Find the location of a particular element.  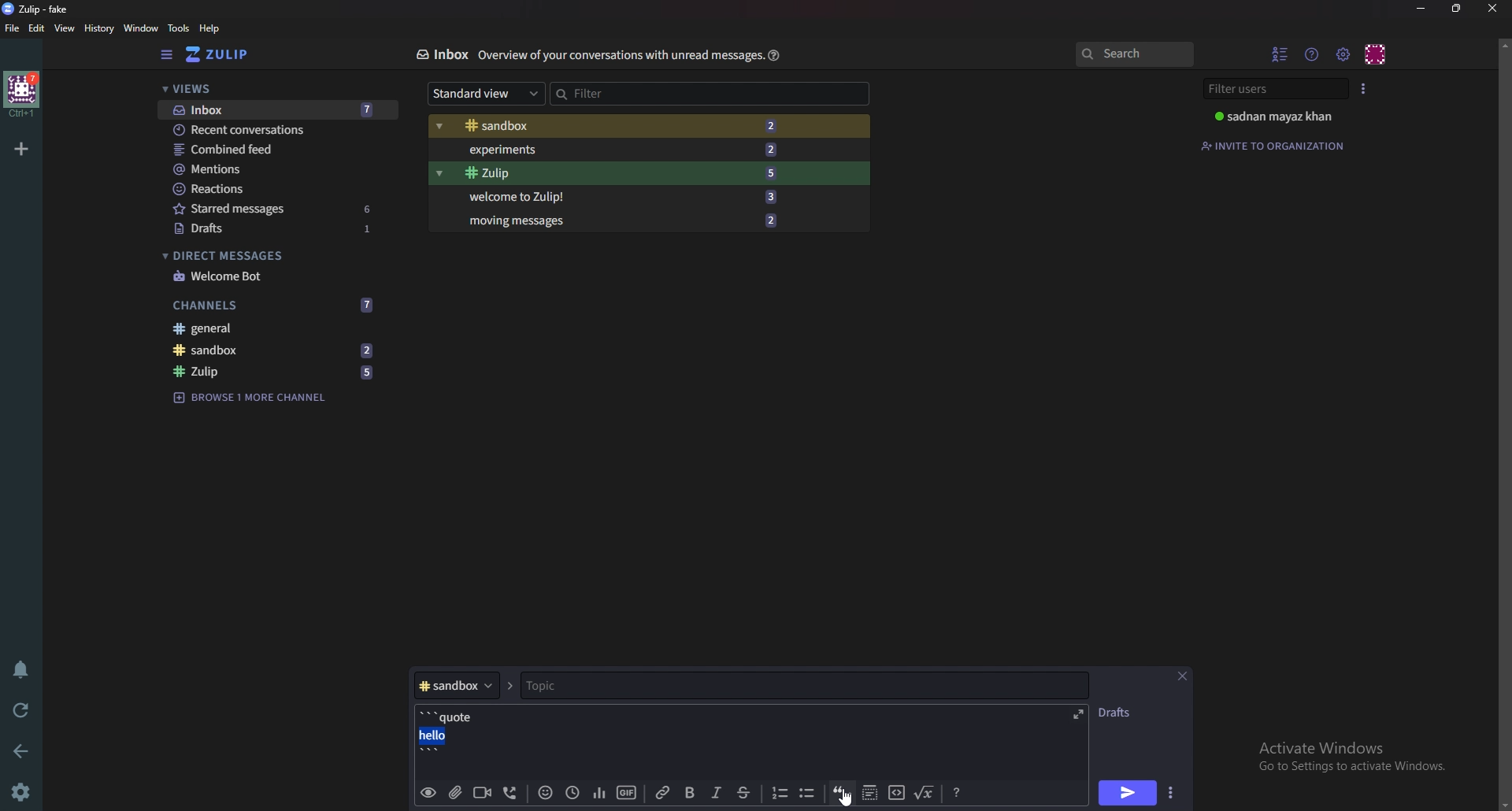

Help is located at coordinates (773, 55).